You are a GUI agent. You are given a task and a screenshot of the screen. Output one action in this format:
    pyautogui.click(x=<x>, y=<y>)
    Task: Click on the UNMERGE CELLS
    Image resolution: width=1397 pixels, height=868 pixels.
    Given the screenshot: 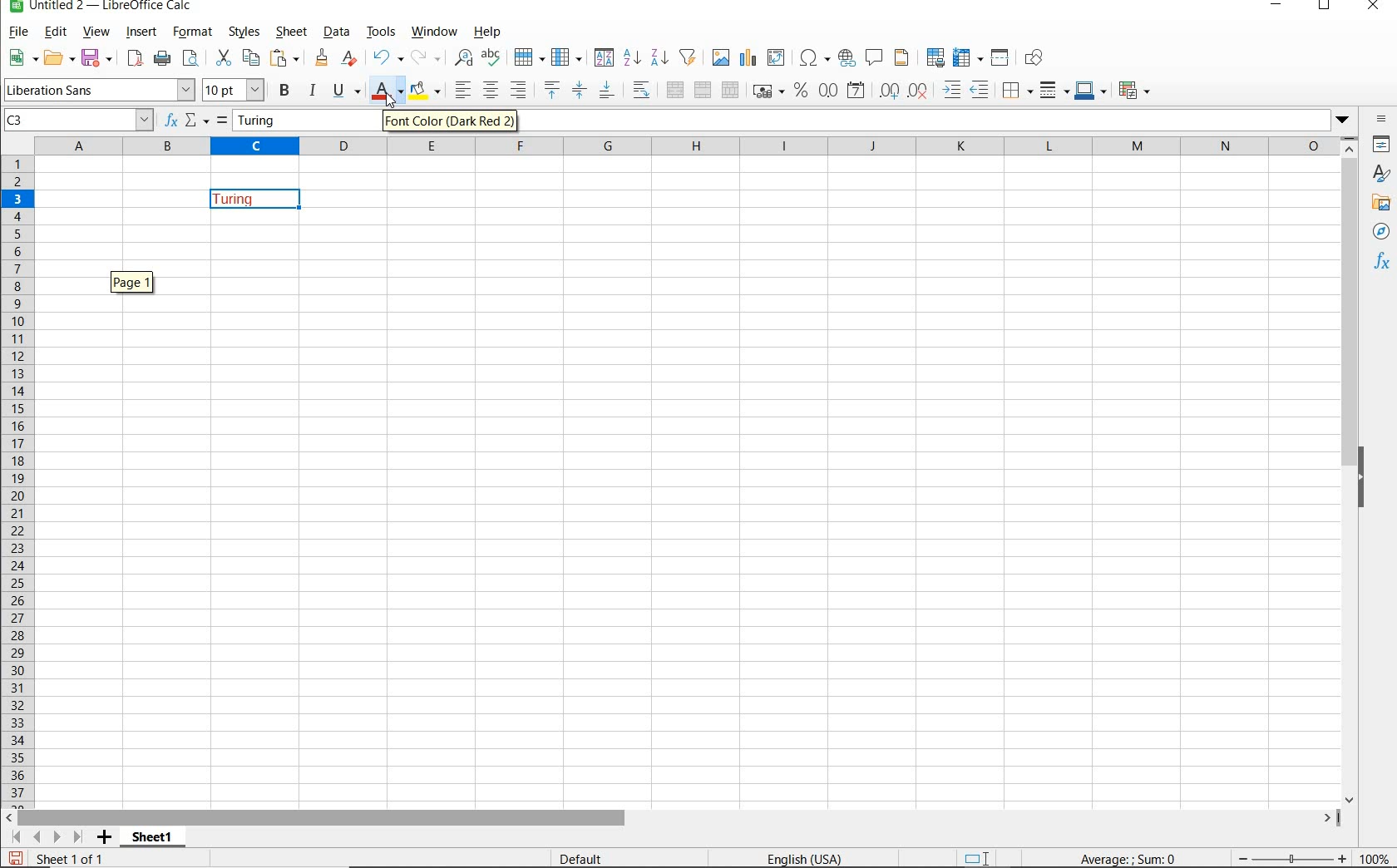 What is the action you would take?
    pyautogui.click(x=731, y=89)
    